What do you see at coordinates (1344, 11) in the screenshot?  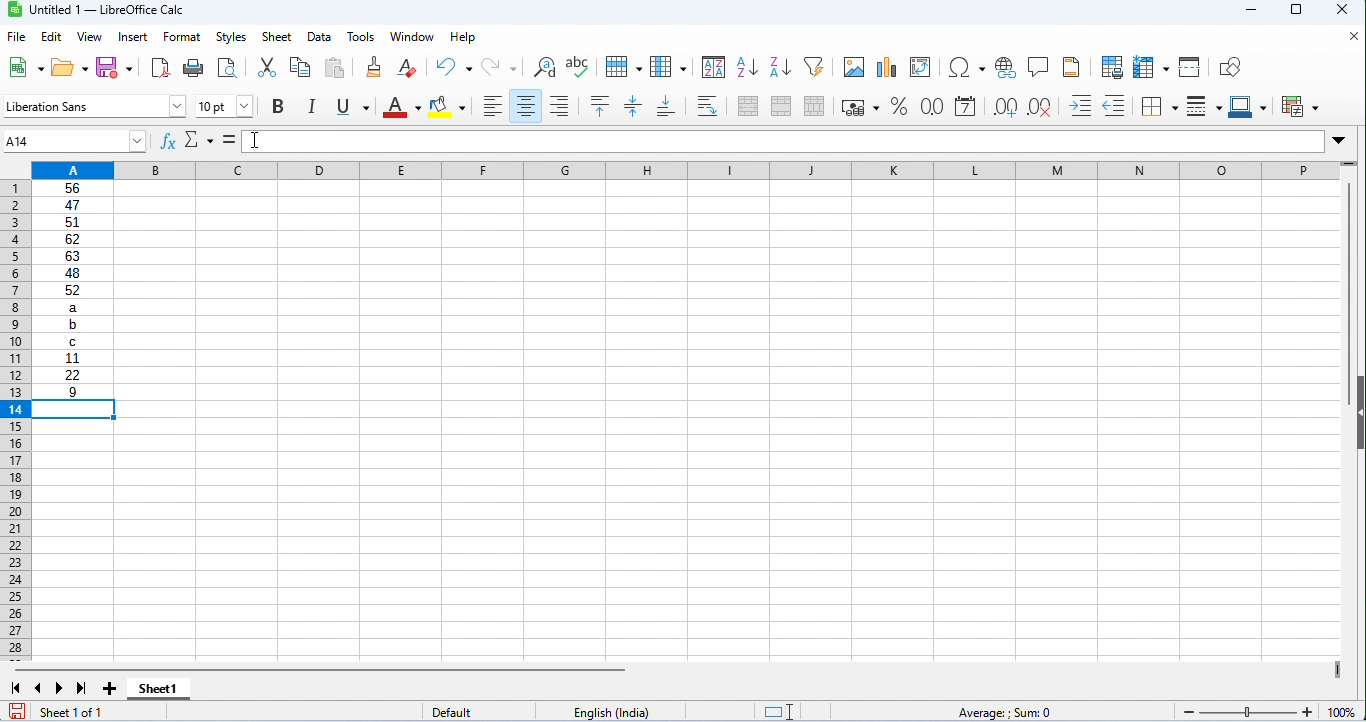 I see `close` at bounding box center [1344, 11].